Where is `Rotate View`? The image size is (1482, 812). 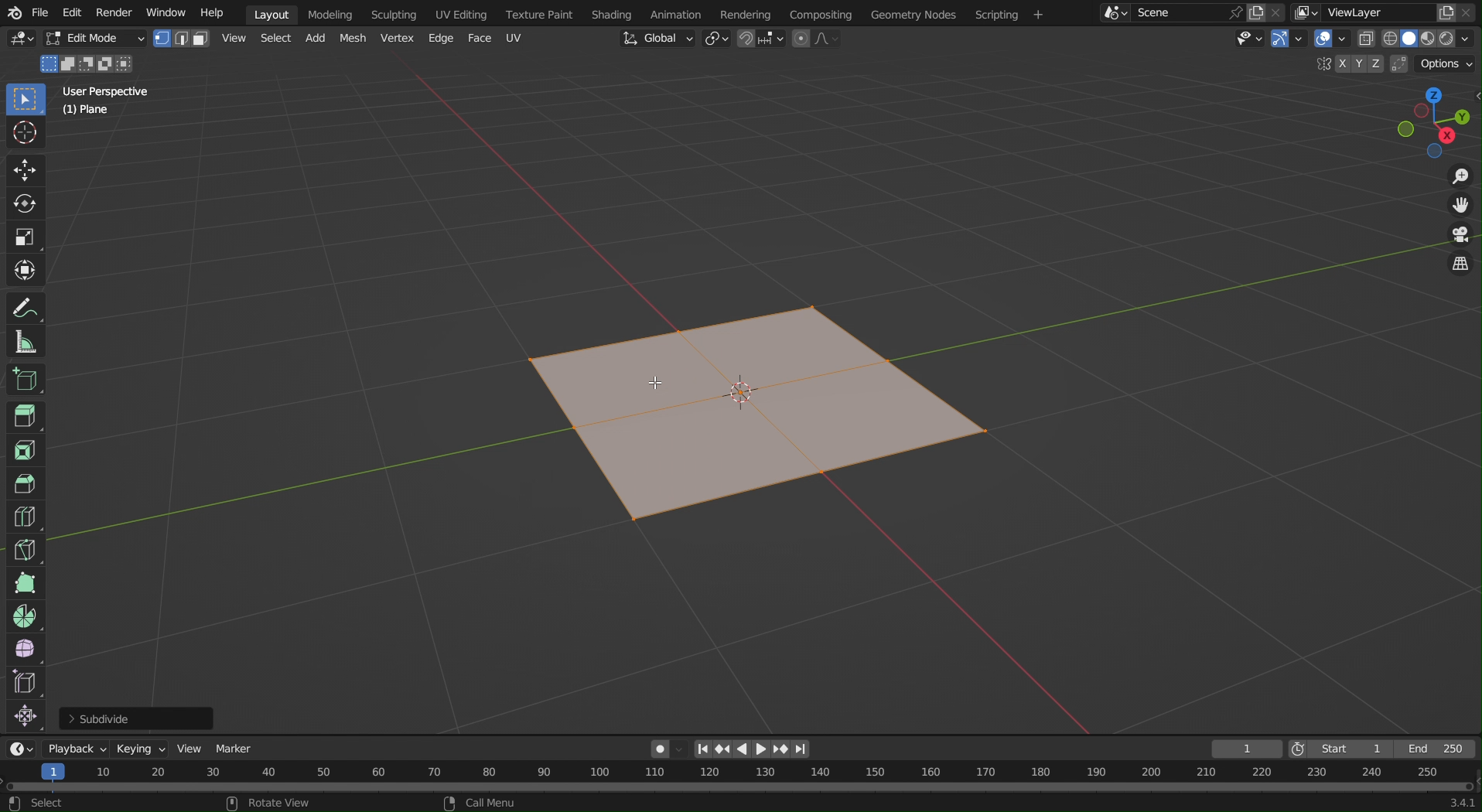 Rotate View is located at coordinates (275, 803).